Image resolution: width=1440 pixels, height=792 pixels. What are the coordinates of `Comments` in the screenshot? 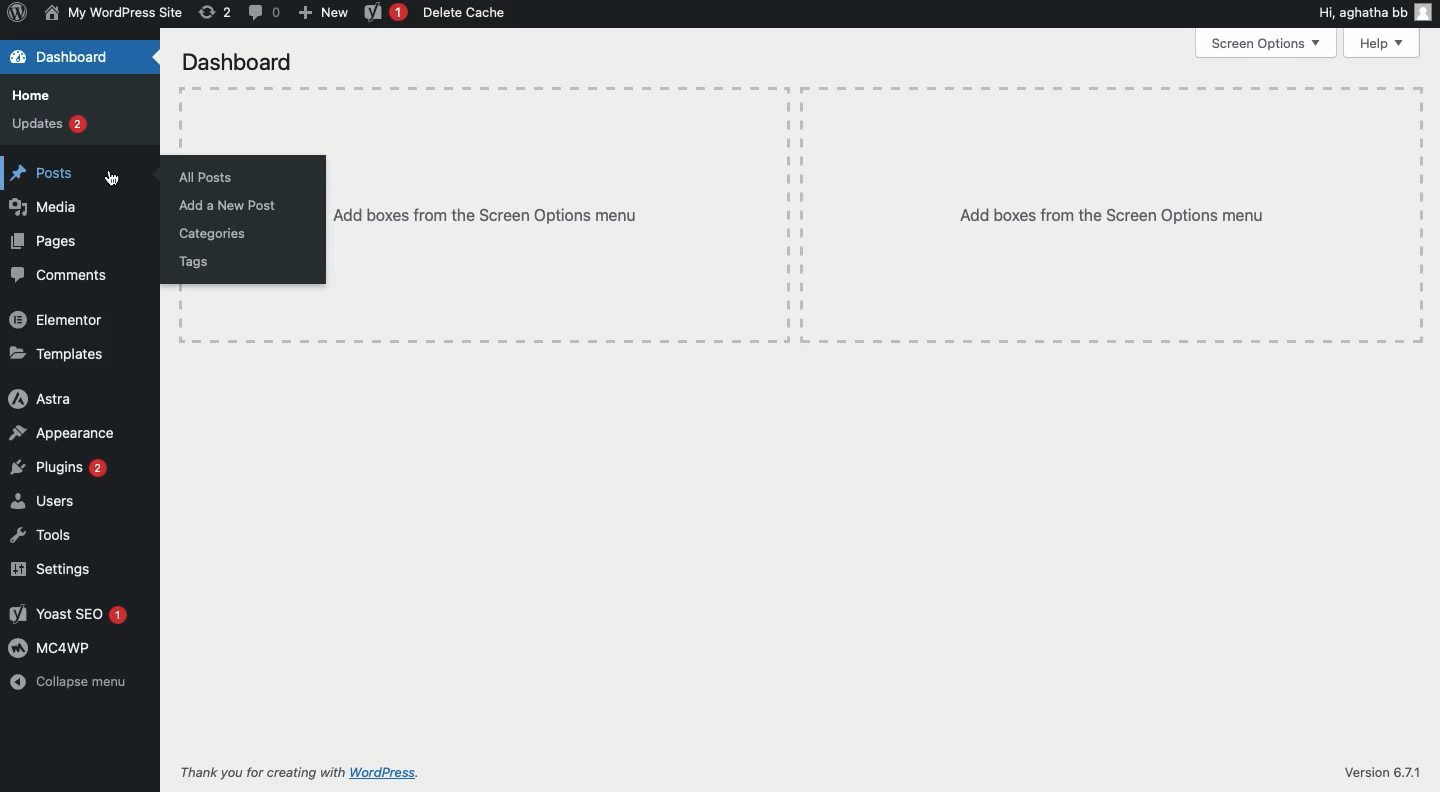 It's located at (64, 276).